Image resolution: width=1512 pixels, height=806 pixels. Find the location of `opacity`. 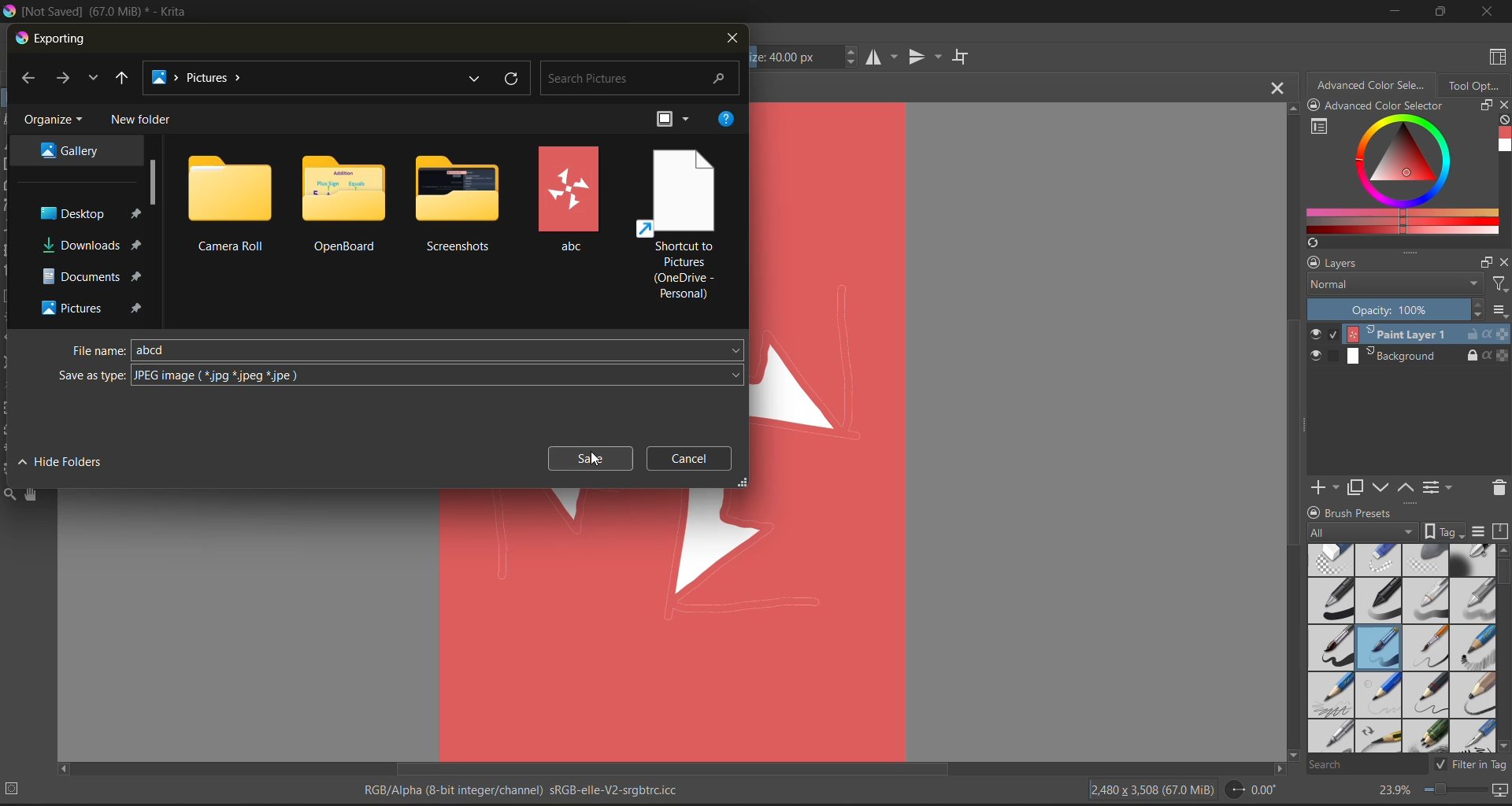

opacity is located at coordinates (1406, 311).